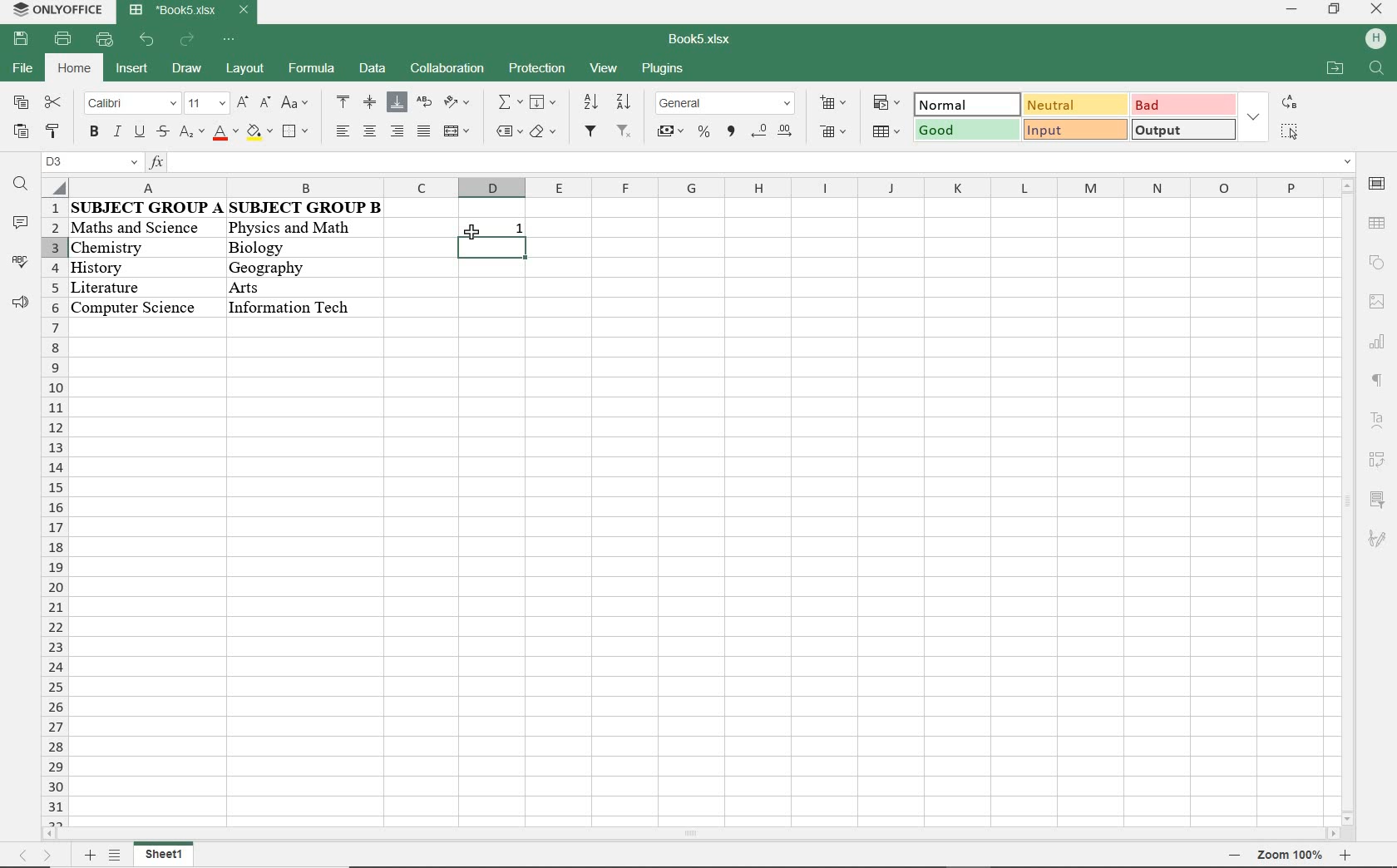  I want to click on restore down, so click(1333, 11).